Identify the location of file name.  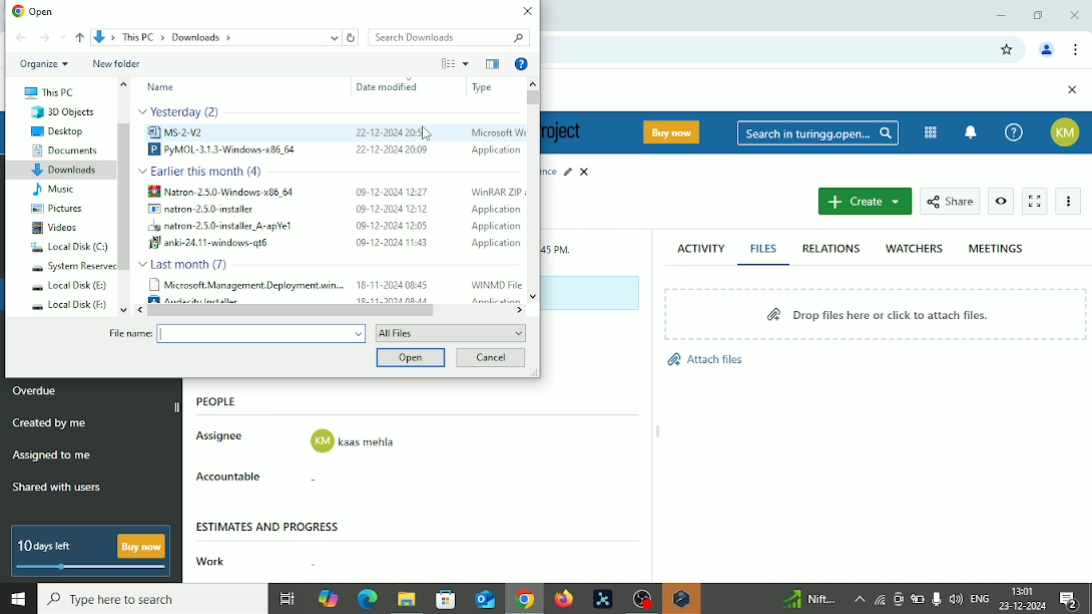
(128, 334).